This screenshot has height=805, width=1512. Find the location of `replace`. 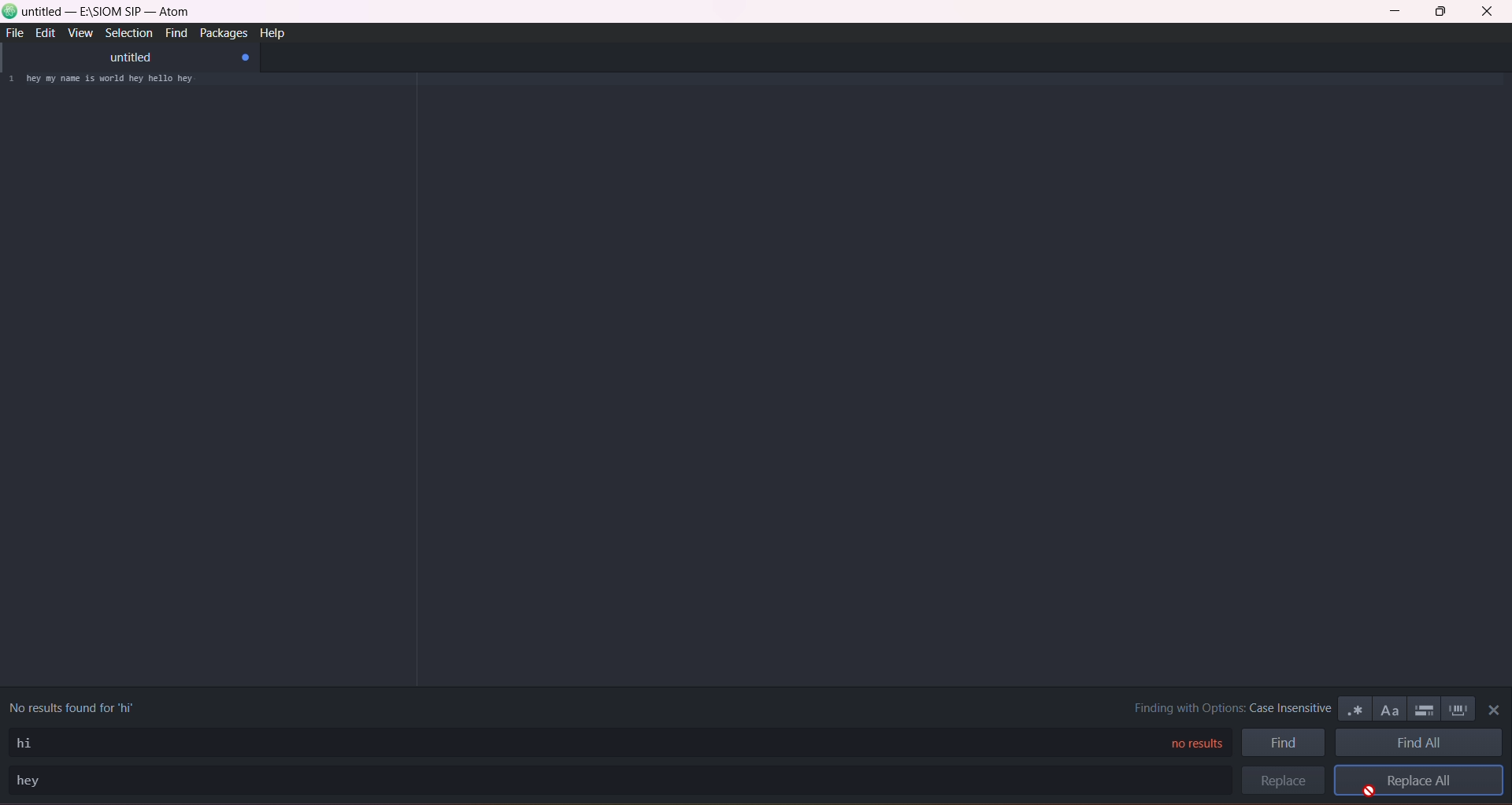

replace is located at coordinates (1280, 781).